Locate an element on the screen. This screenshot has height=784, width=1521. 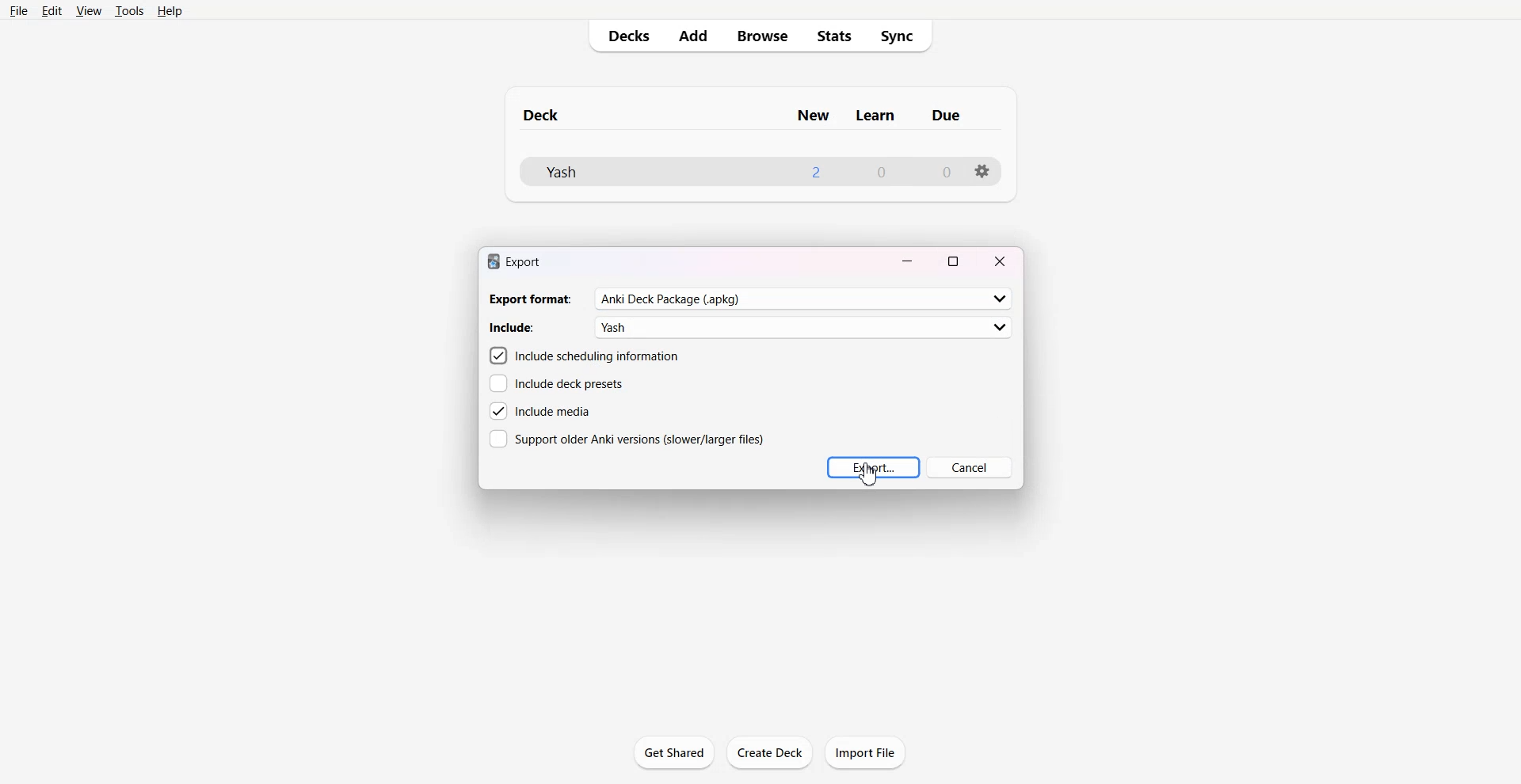
Deck File is located at coordinates (608, 172).